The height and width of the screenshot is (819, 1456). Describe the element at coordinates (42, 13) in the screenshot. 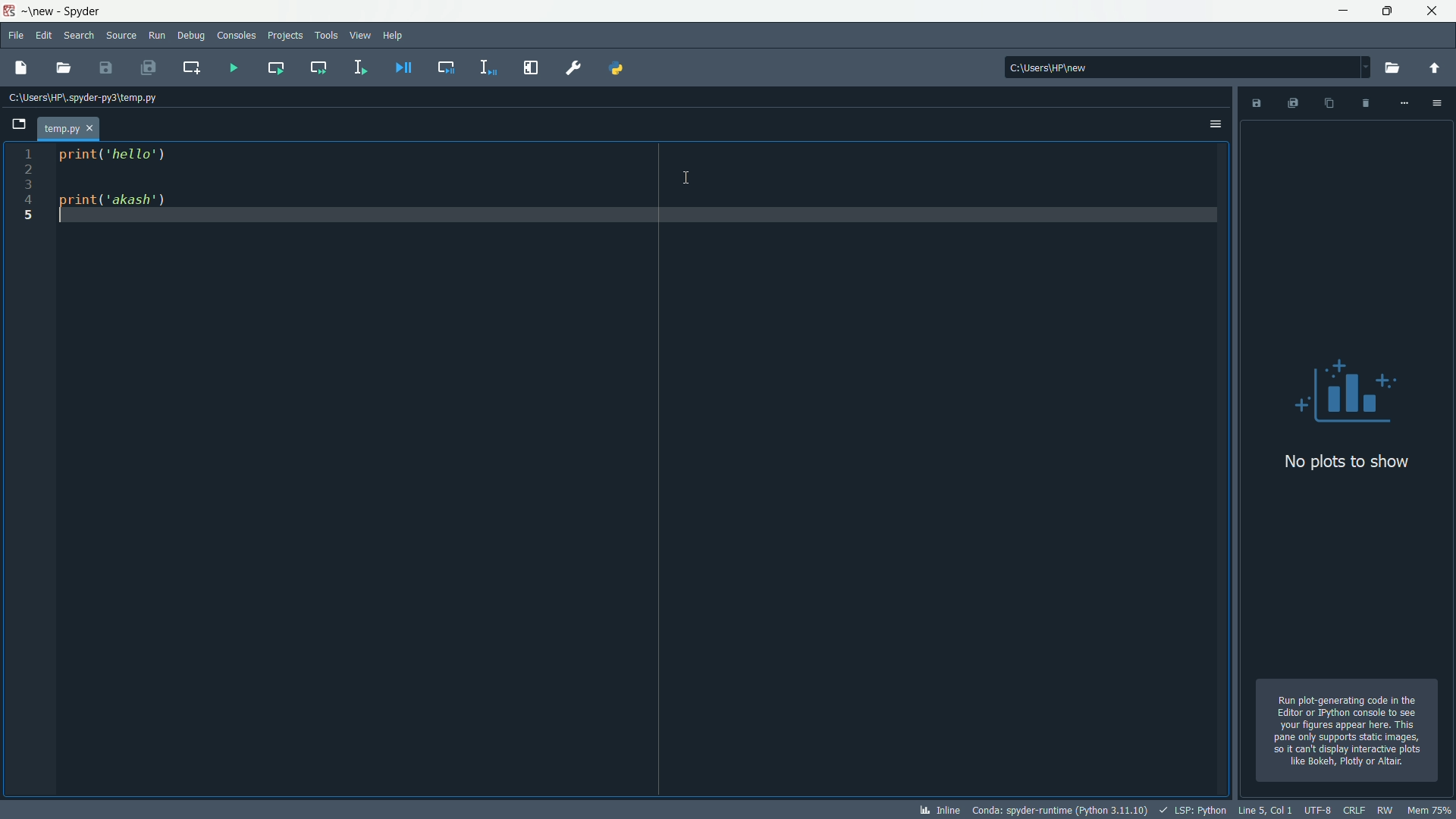

I see `~\new` at that location.